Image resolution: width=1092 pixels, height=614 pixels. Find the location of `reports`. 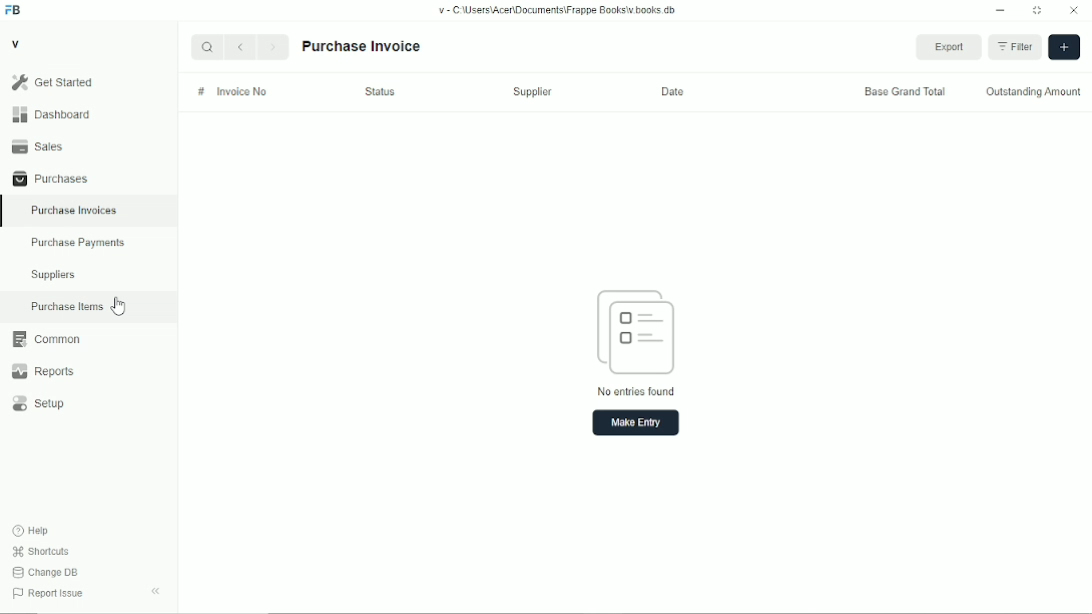

reports is located at coordinates (42, 371).